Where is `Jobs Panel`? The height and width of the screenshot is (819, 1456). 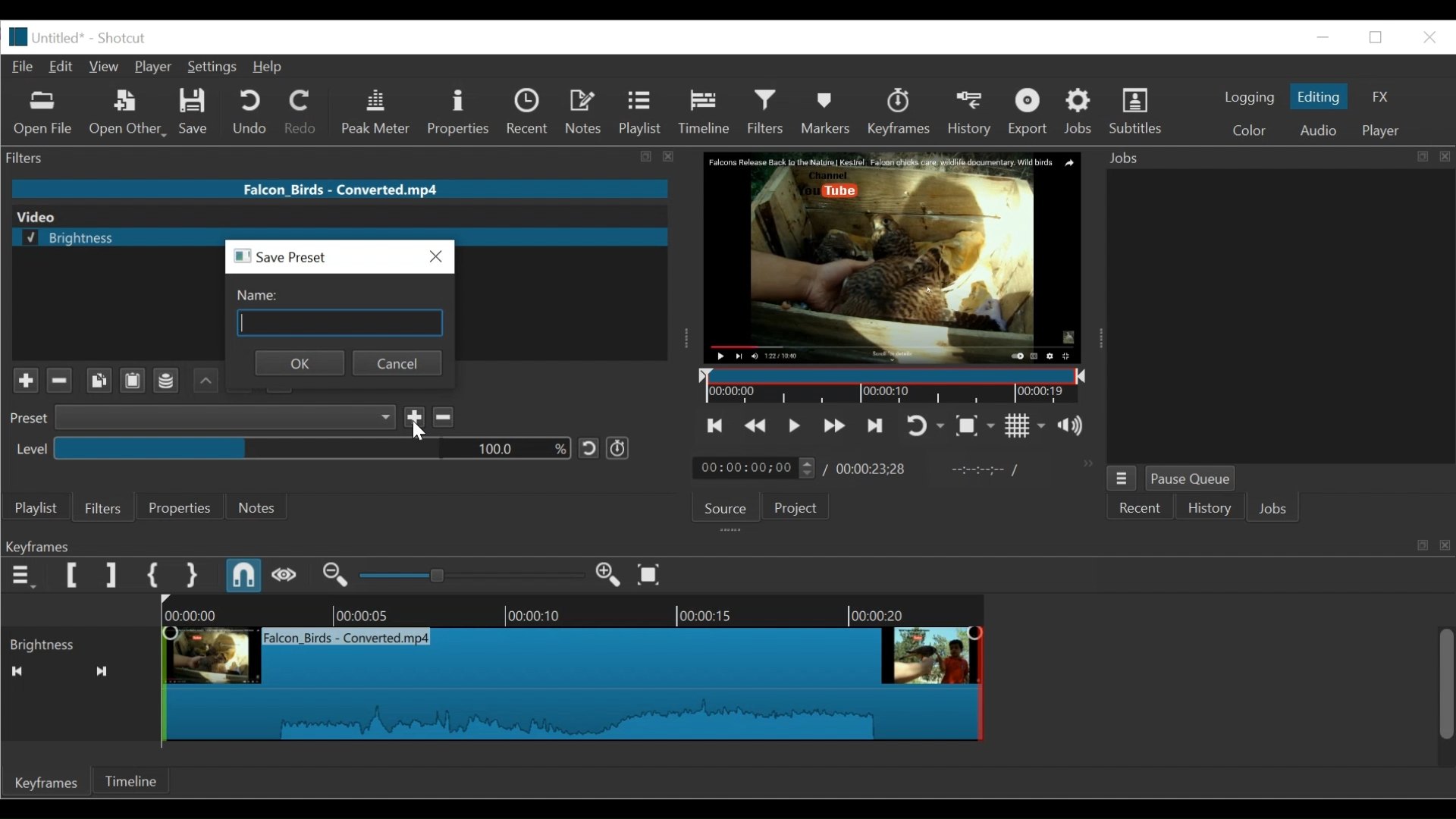 Jobs Panel is located at coordinates (1276, 158).